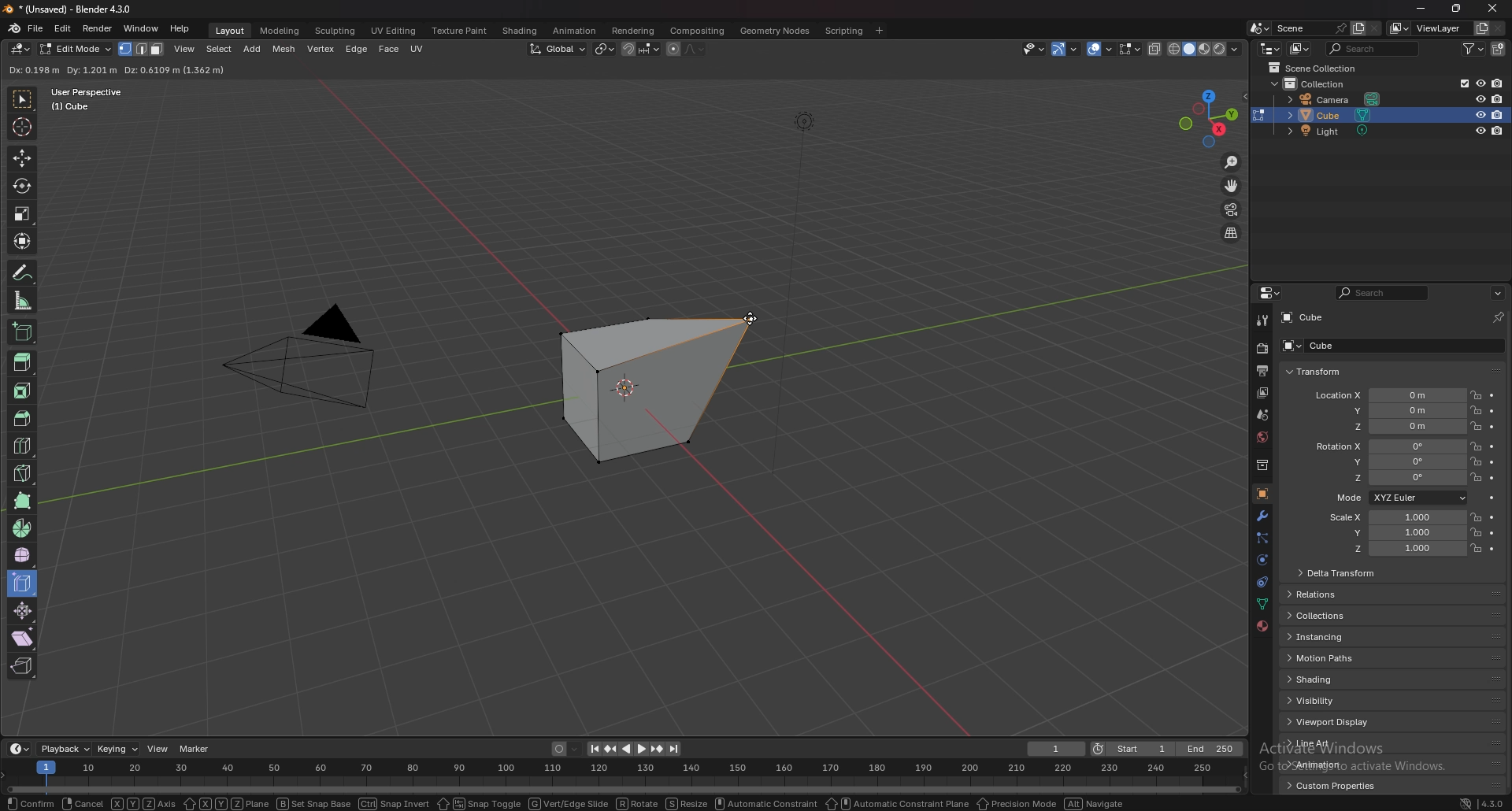 The width and height of the screenshot is (1512, 811). I want to click on render, so click(98, 28).